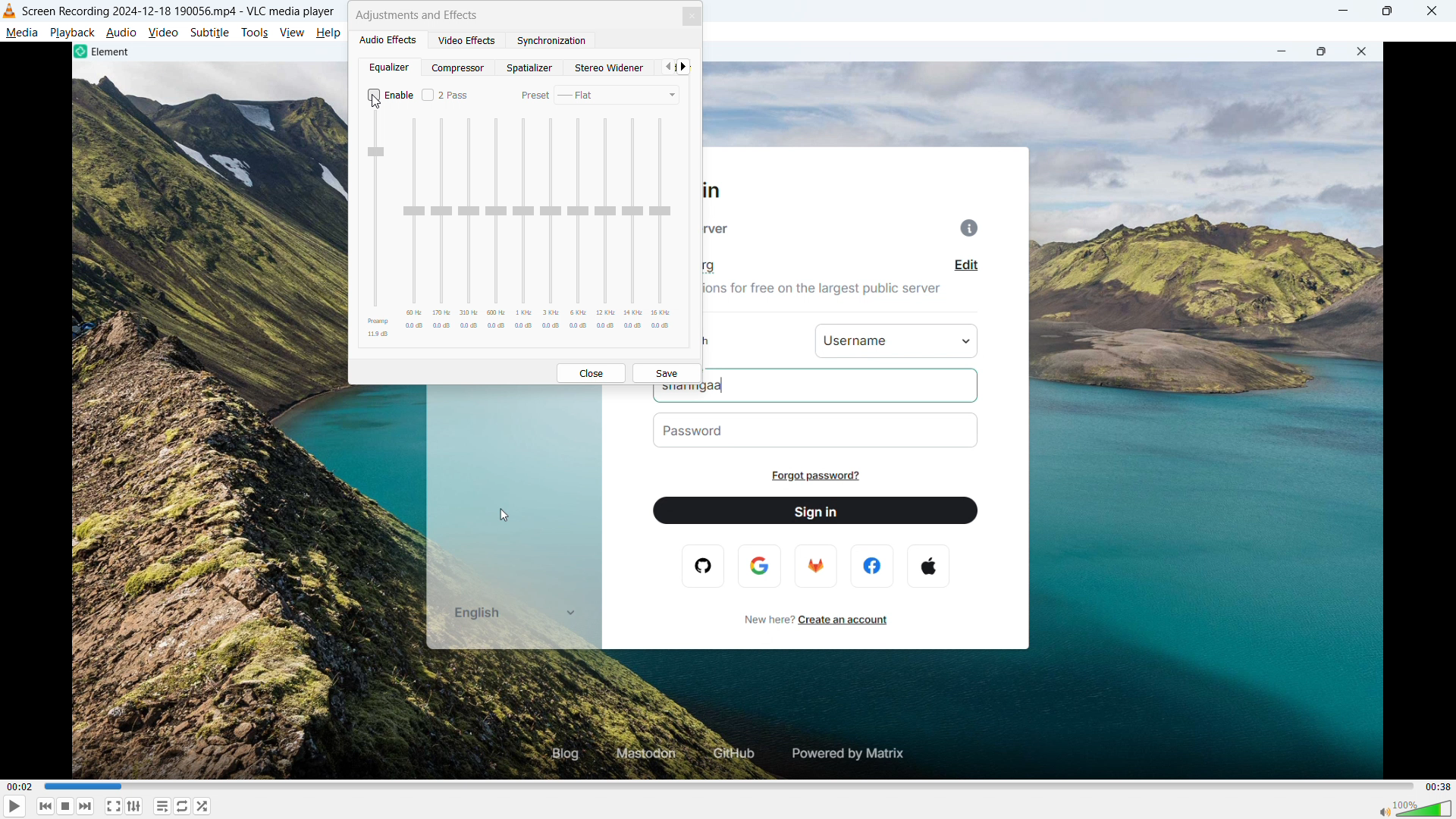 The image size is (1456, 819). What do you see at coordinates (730, 582) in the screenshot?
I see `Video Playback` at bounding box center [730, 582].